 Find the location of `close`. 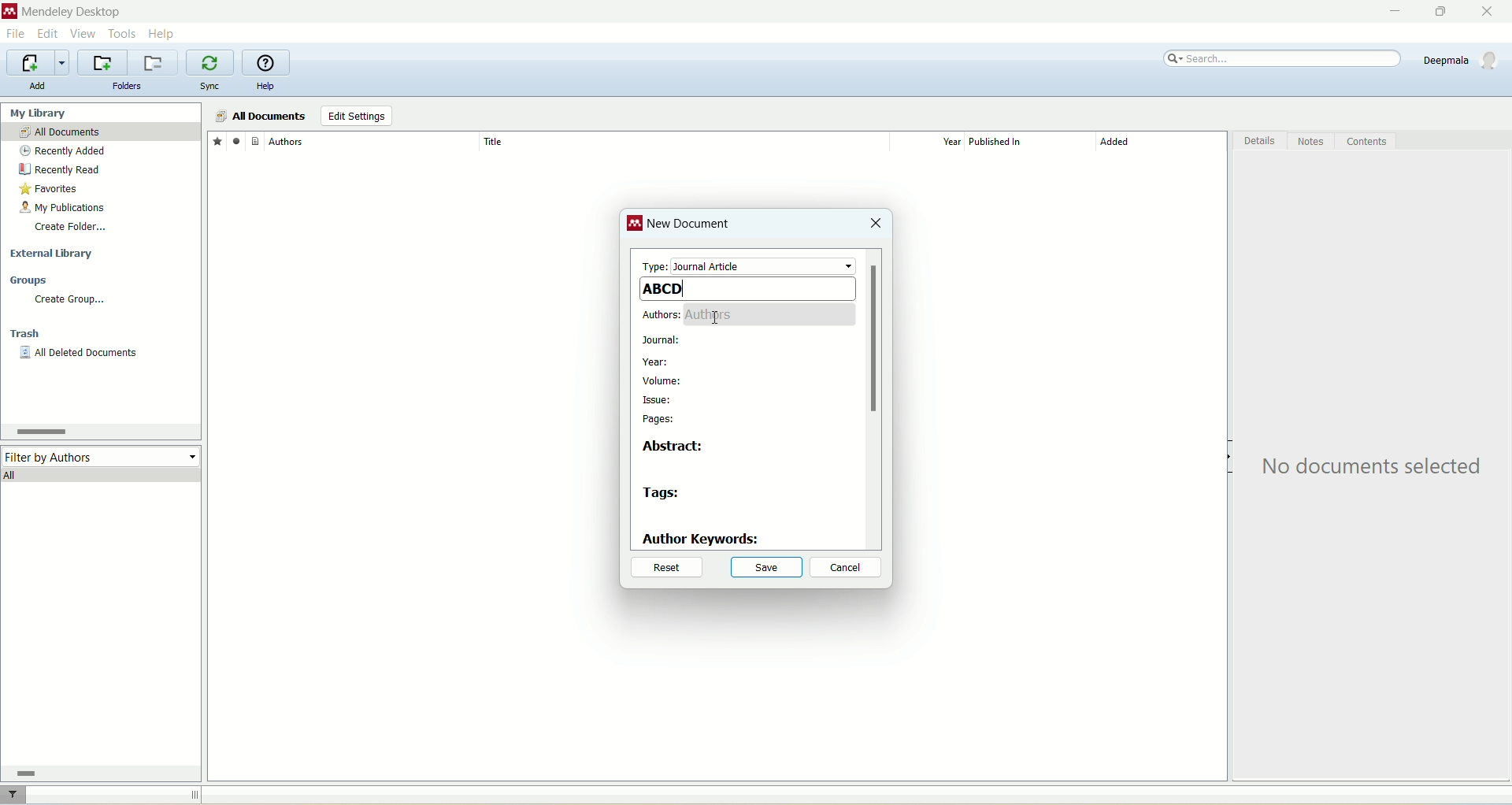

close is located at coordinates (875, 224).